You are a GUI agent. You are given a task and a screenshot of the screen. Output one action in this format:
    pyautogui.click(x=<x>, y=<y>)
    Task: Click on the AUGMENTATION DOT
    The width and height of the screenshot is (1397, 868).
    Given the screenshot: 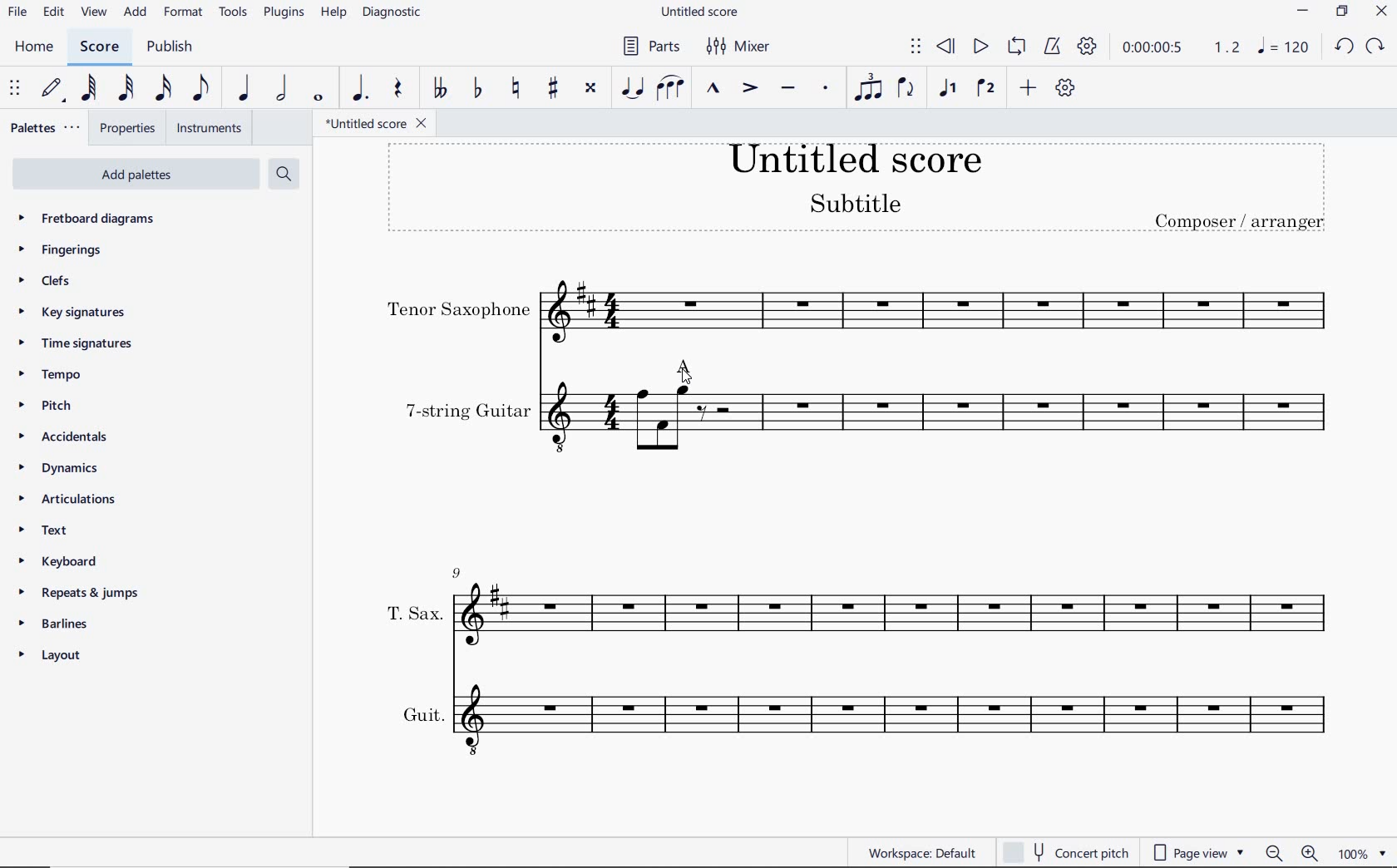 What is the action you would take?
    pyautogui.click(x=360, y=89)
    